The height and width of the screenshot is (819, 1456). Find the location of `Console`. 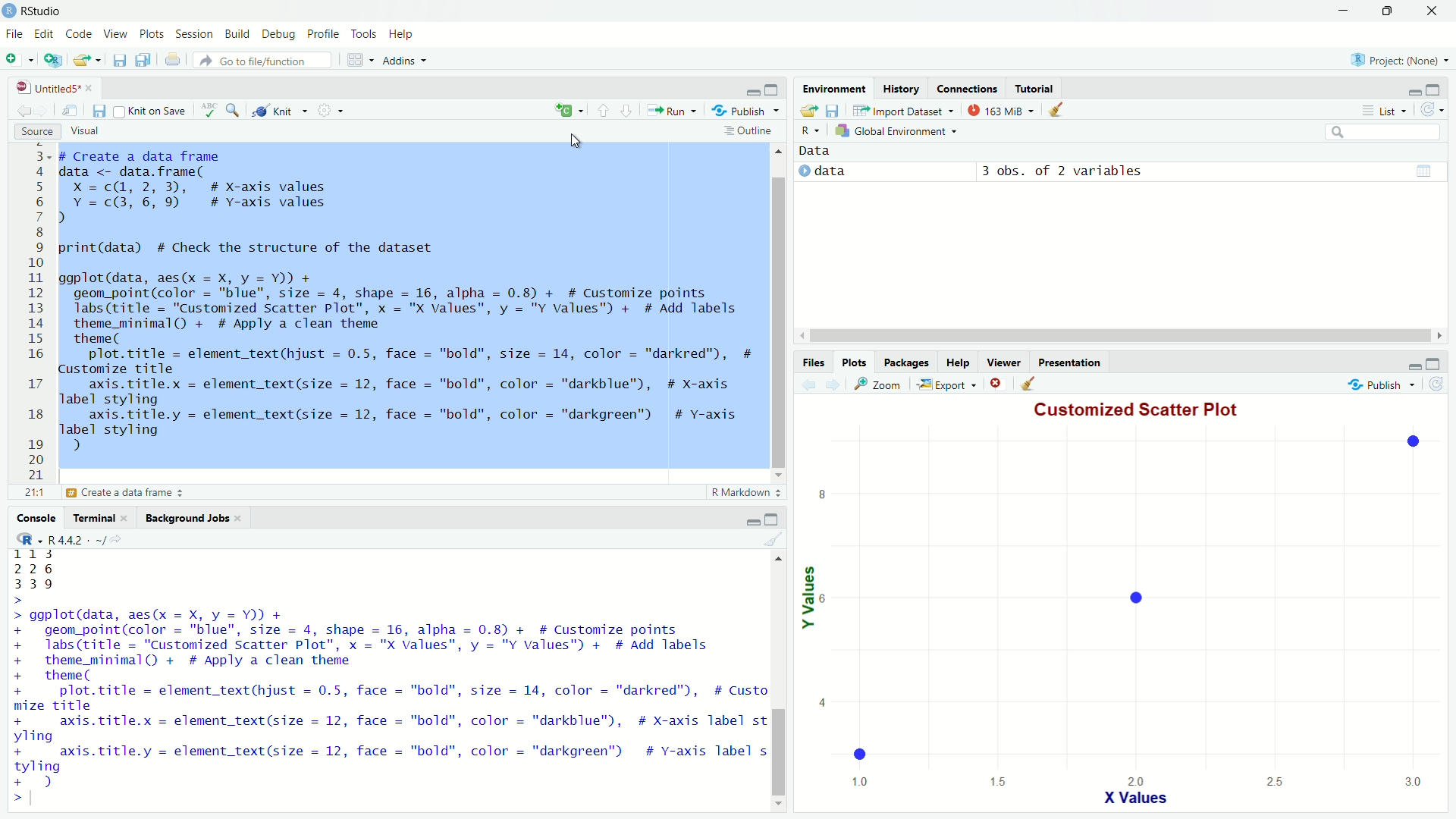

Console is located at coordinates (38, 518).